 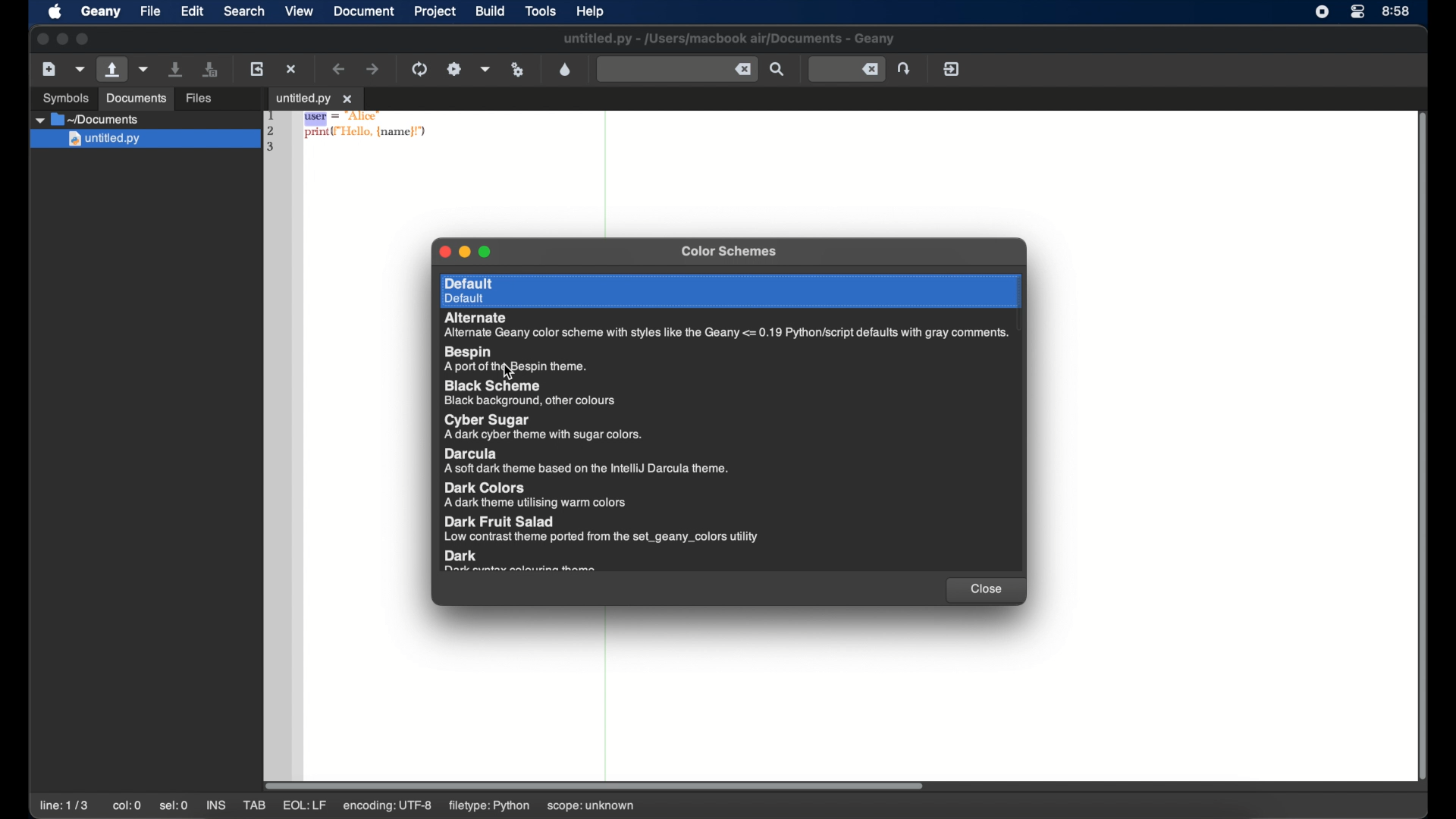 What do you see at coordinates (41, 39) in the screenshot?
I see `close` at bounding box center [41, 39].